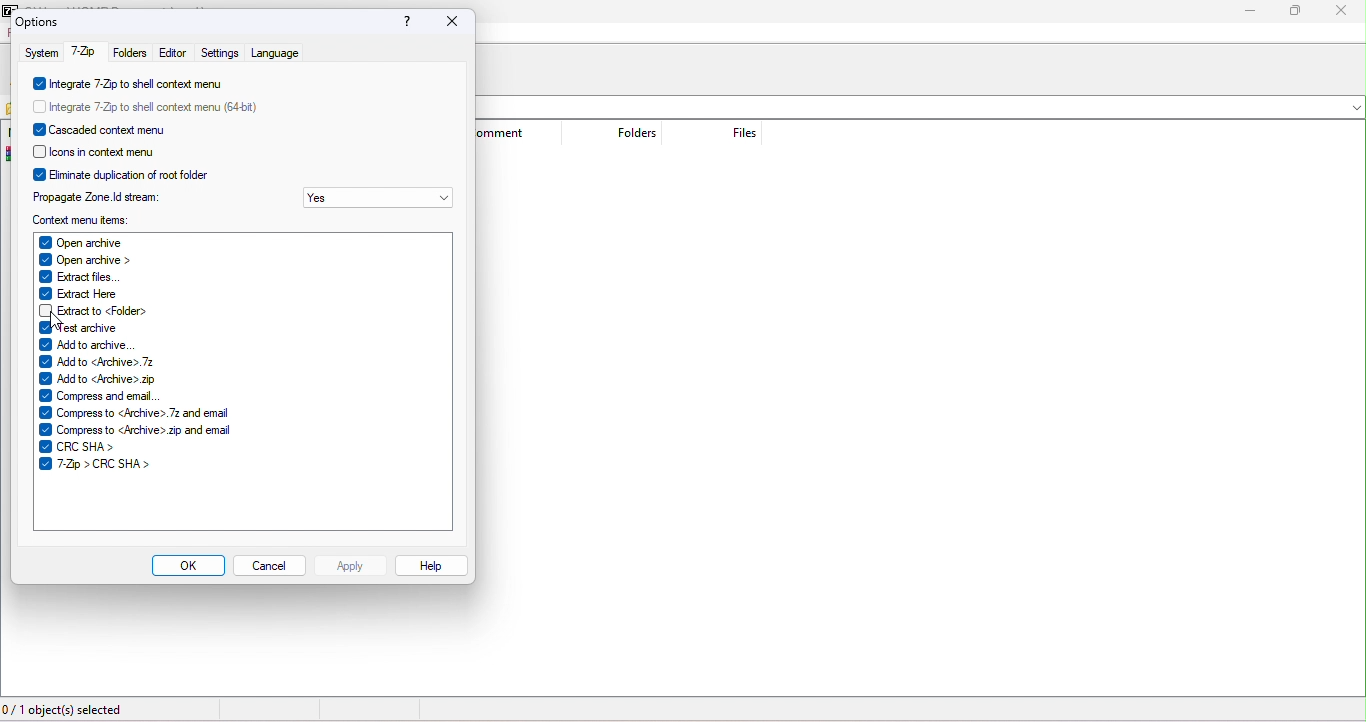 The image size is (1366, 722). I want to click on 7-zip>crc sha>, so click(99, 465).